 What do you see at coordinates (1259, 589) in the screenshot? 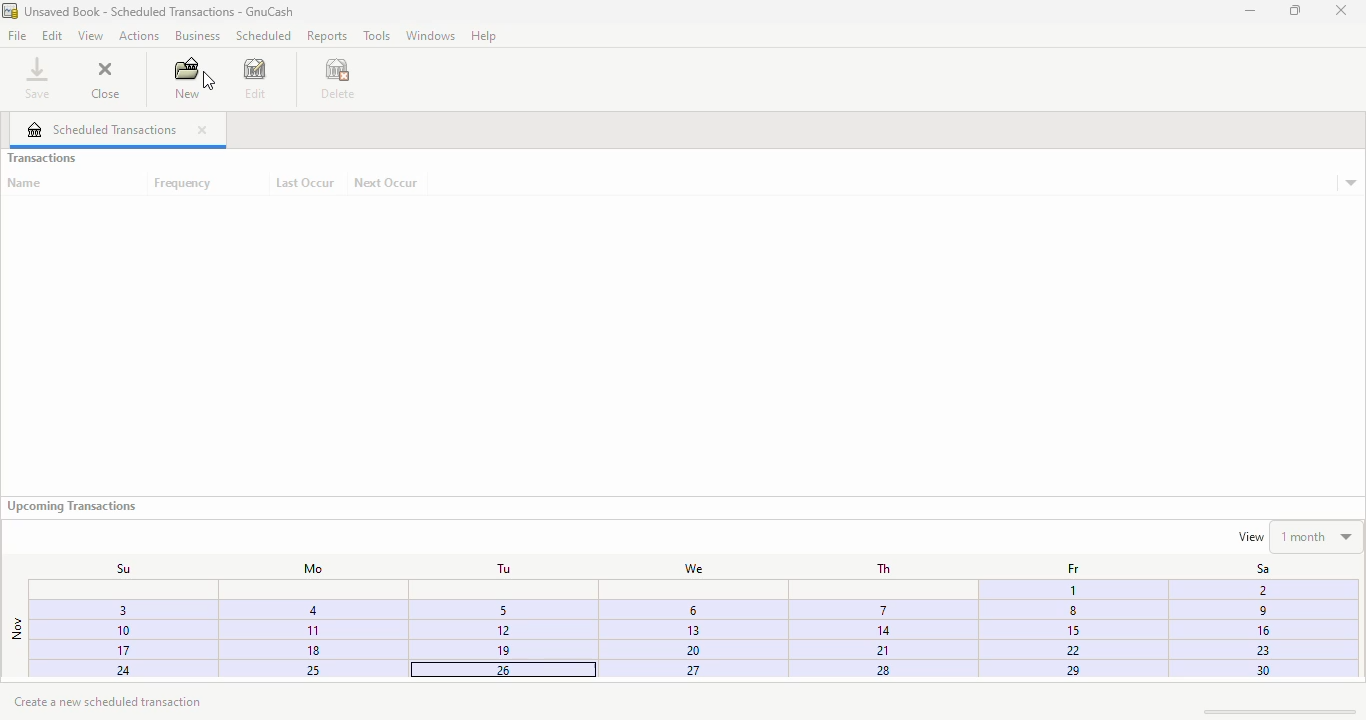
I see `Fi` at bounding box center [1259, 589].